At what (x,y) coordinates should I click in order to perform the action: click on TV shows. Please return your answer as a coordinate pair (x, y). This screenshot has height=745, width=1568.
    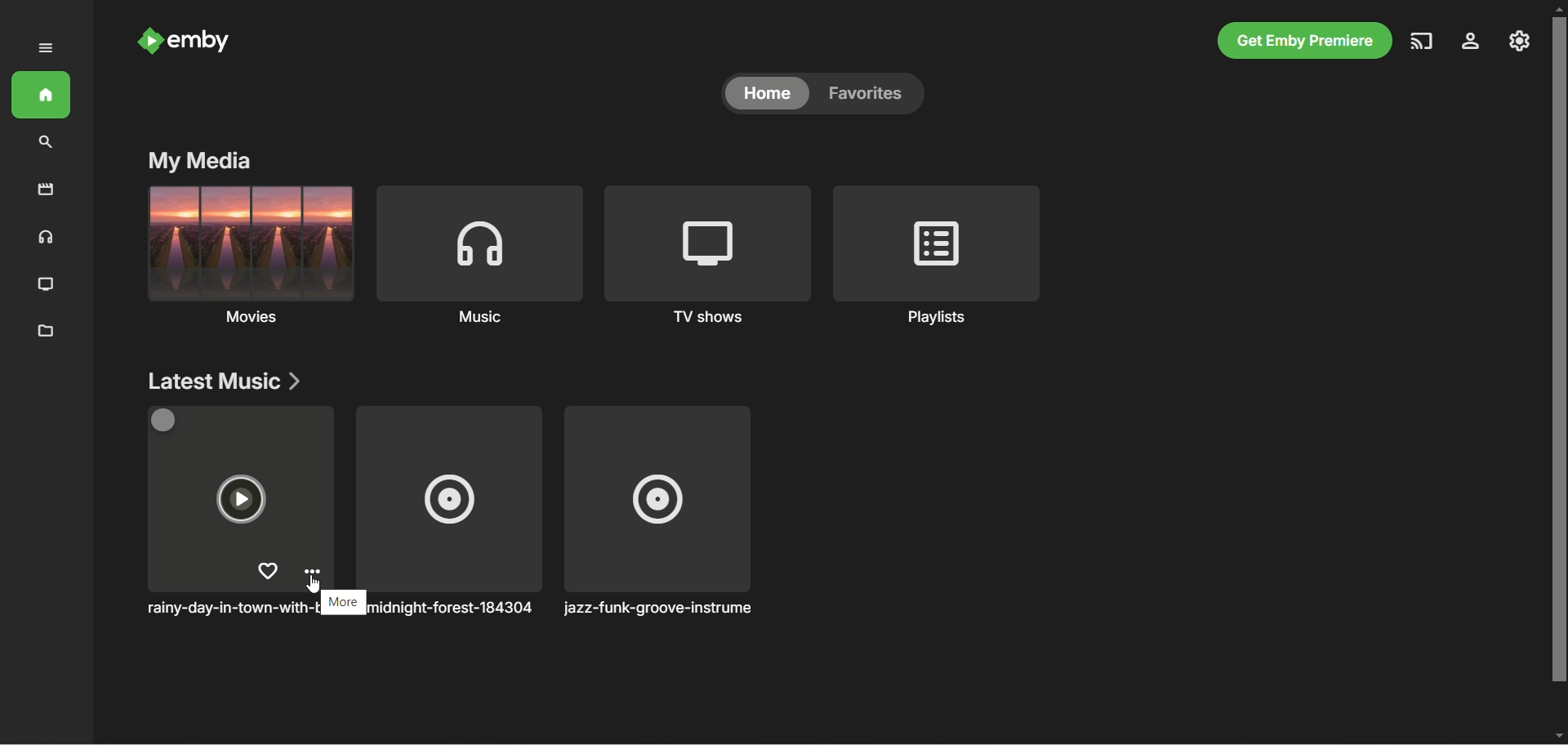
    Looking at the image, I should click on (45, 285).